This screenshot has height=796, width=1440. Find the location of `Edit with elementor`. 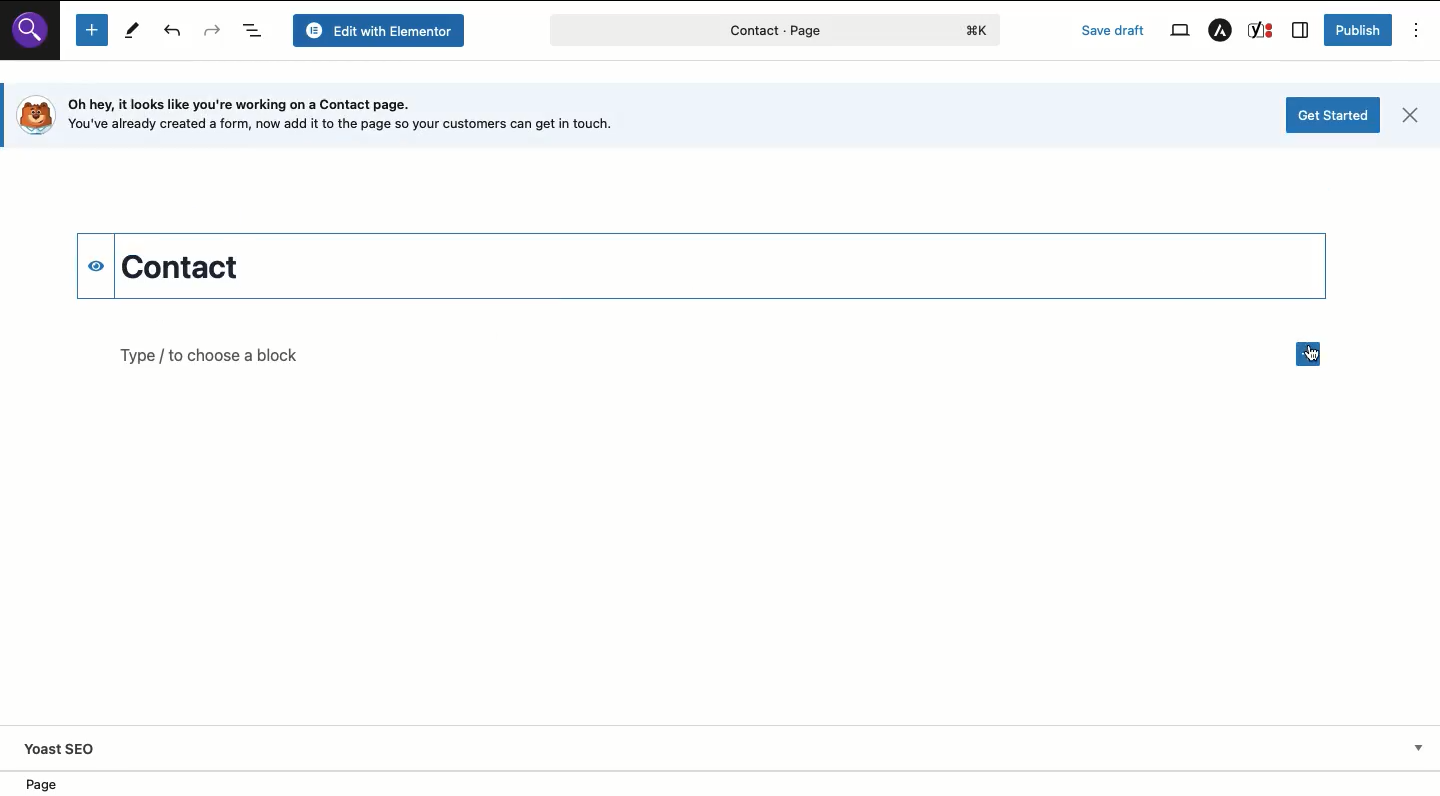

Edit with elementor is located at coordinates (382, 30).